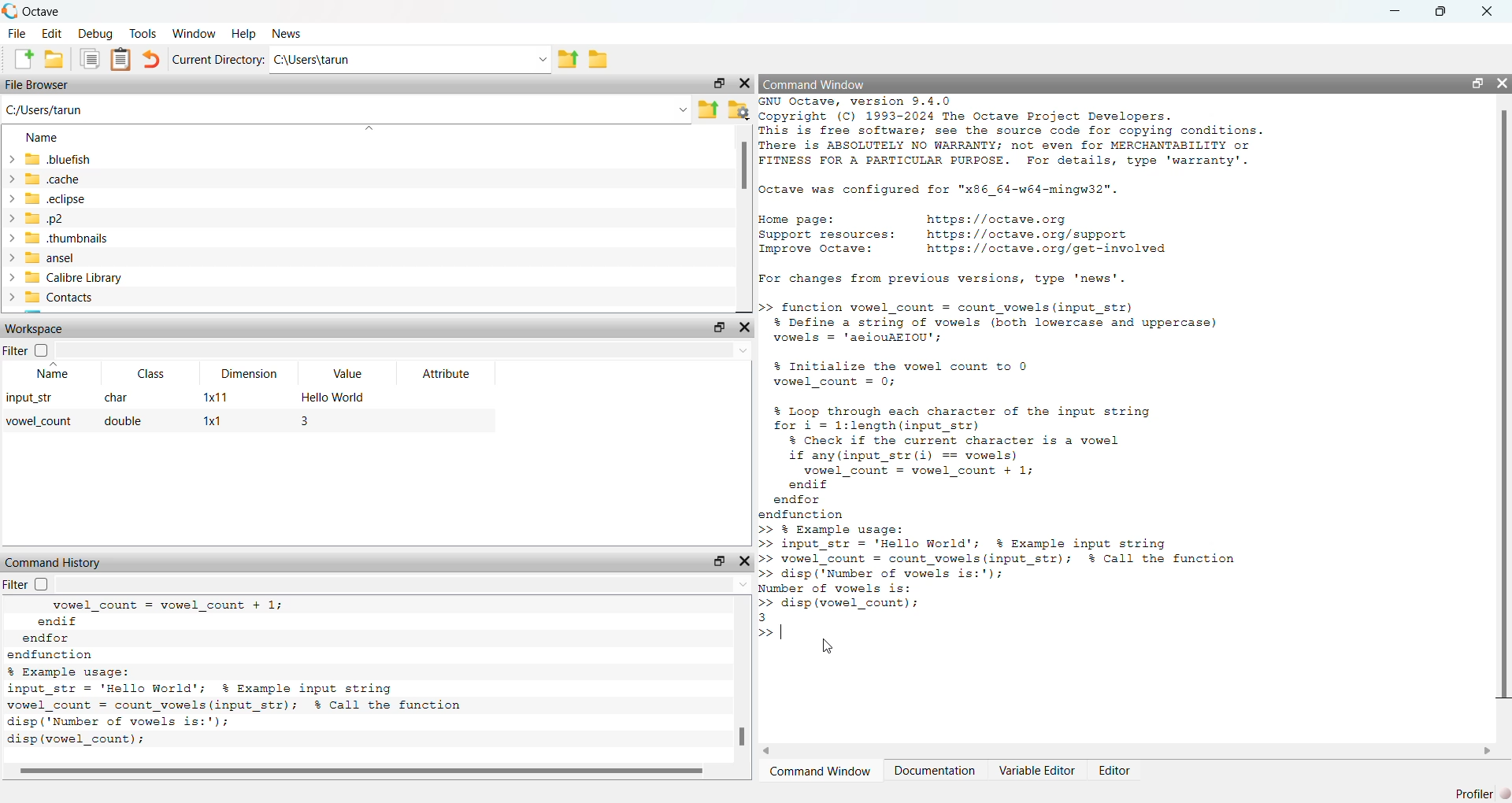 The width and height of the screenshot is (1512, 803). I want to click on cursor, so click(828, 649).